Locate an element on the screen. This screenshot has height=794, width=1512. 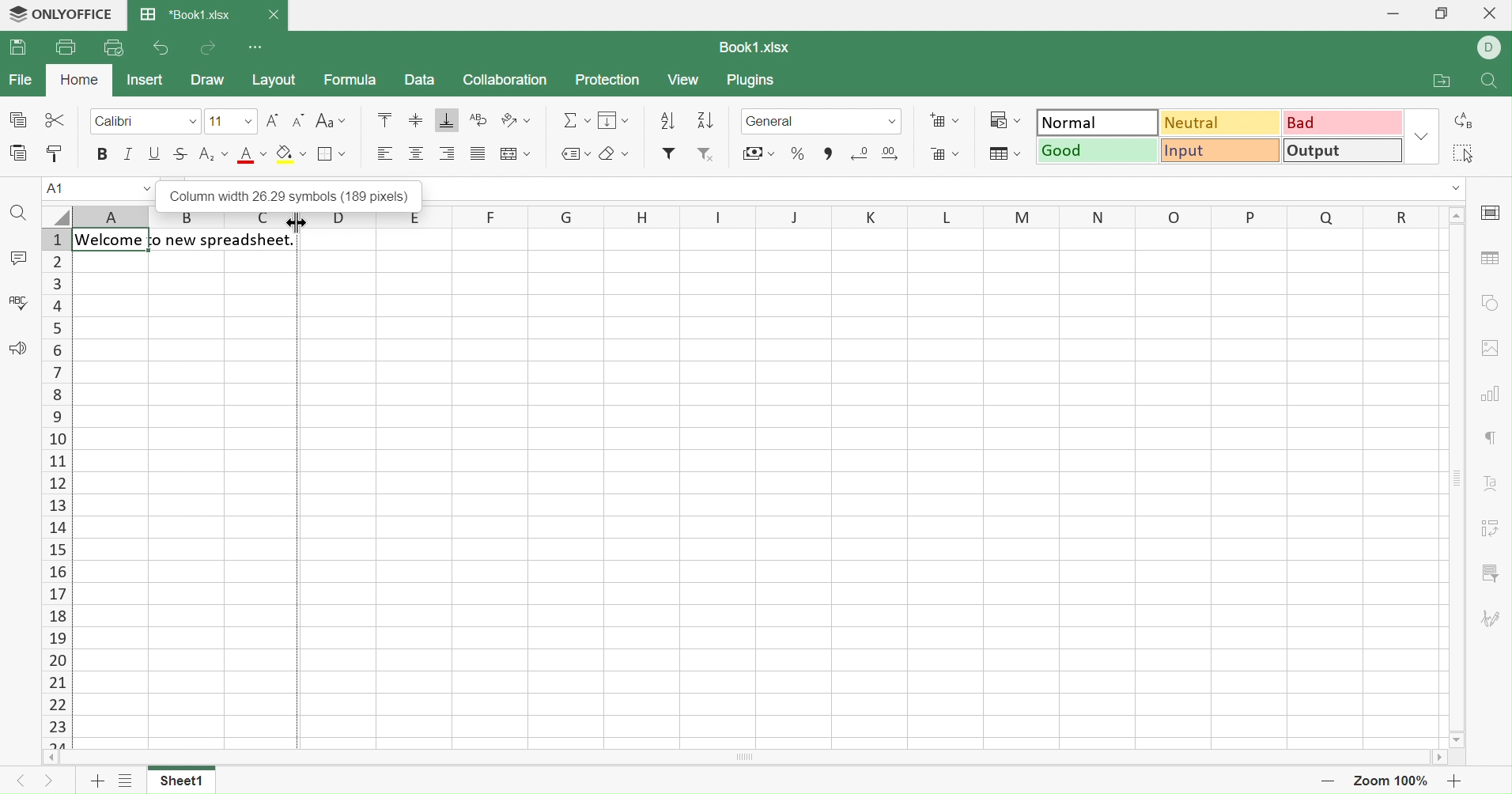
Zoom Out is located at coordinates (1328, 785).